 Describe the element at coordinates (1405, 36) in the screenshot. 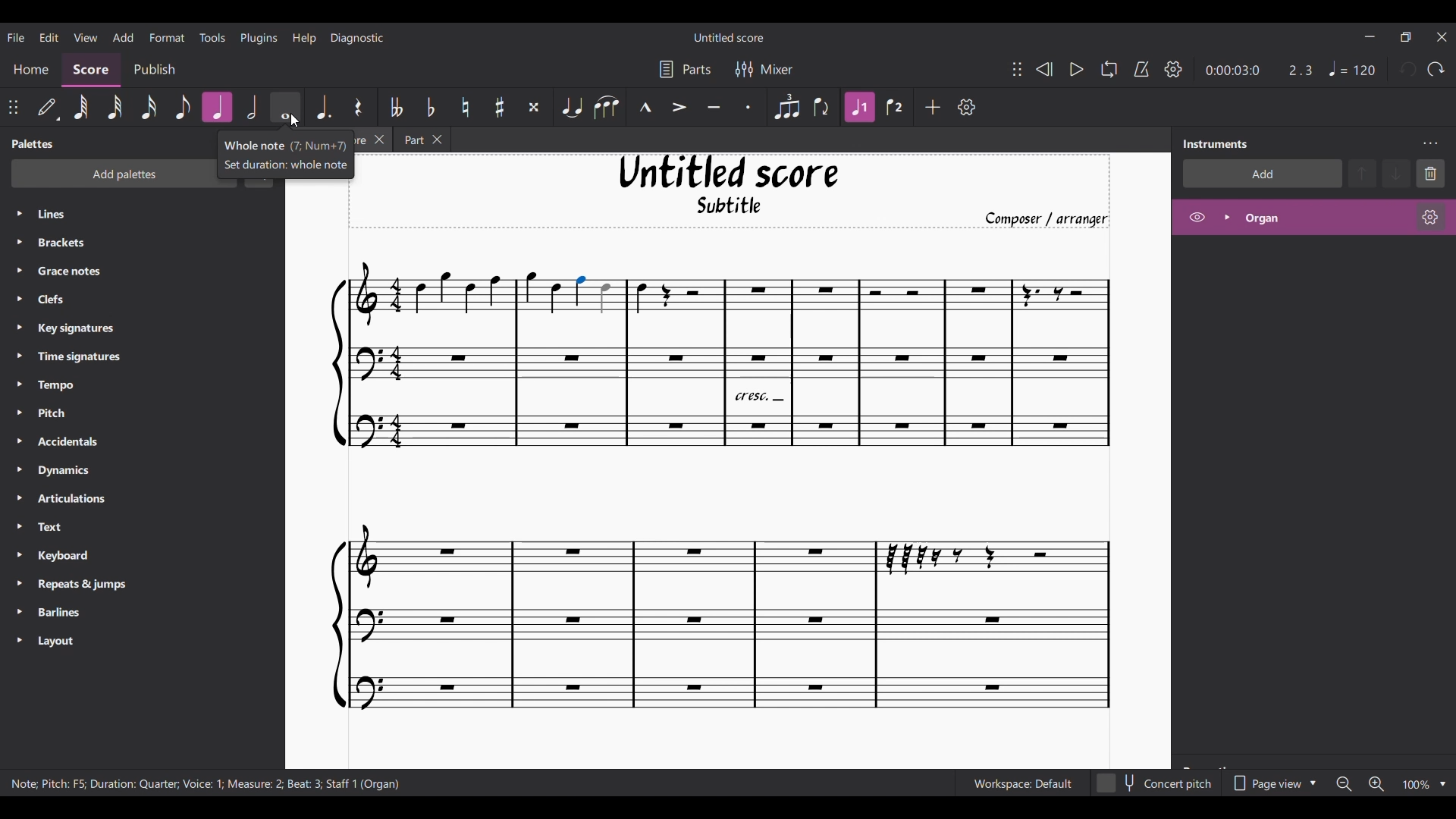

I see `Show interface in a smaller tab` at that location.